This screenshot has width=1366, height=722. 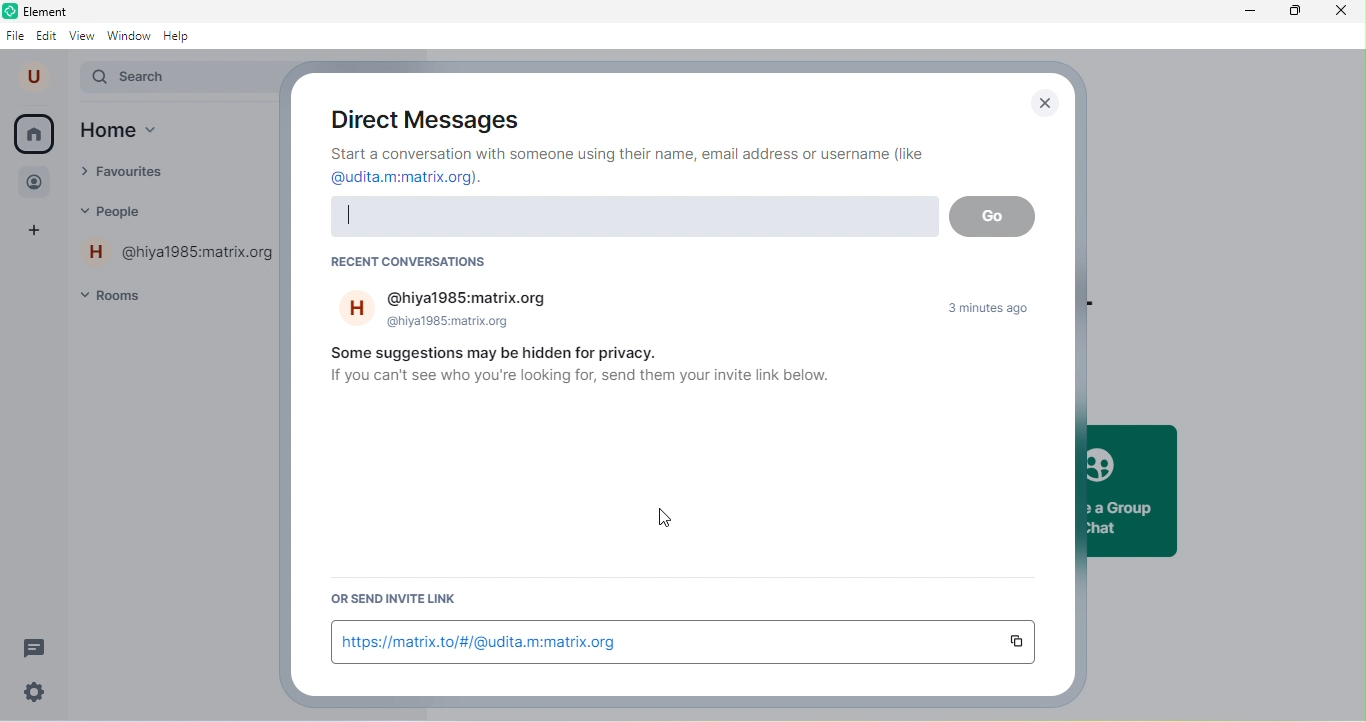 I want to click on view, so click(x=82, y=35).